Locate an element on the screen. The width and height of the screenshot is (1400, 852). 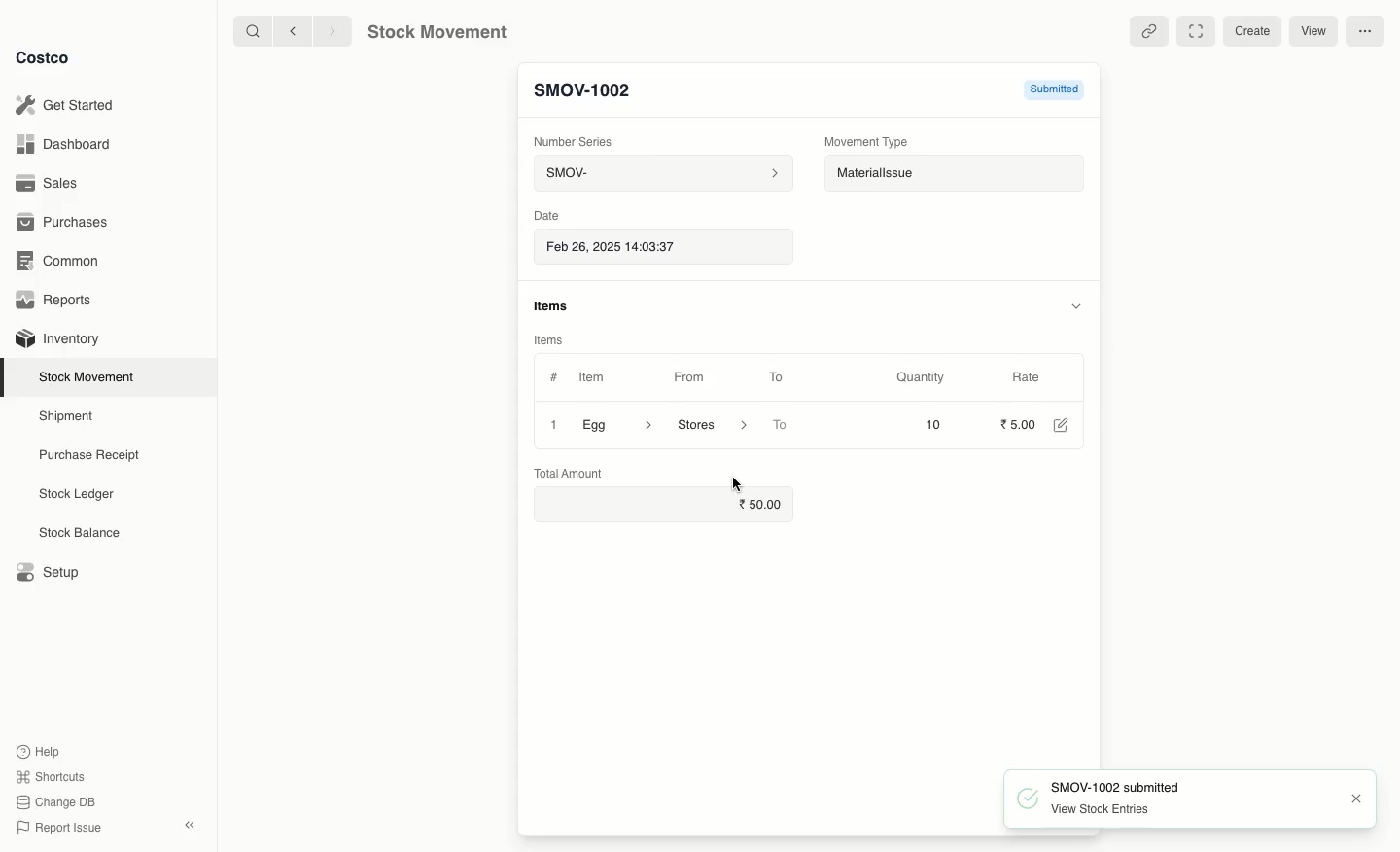
Dashboard is located at coordinates (65, 146).